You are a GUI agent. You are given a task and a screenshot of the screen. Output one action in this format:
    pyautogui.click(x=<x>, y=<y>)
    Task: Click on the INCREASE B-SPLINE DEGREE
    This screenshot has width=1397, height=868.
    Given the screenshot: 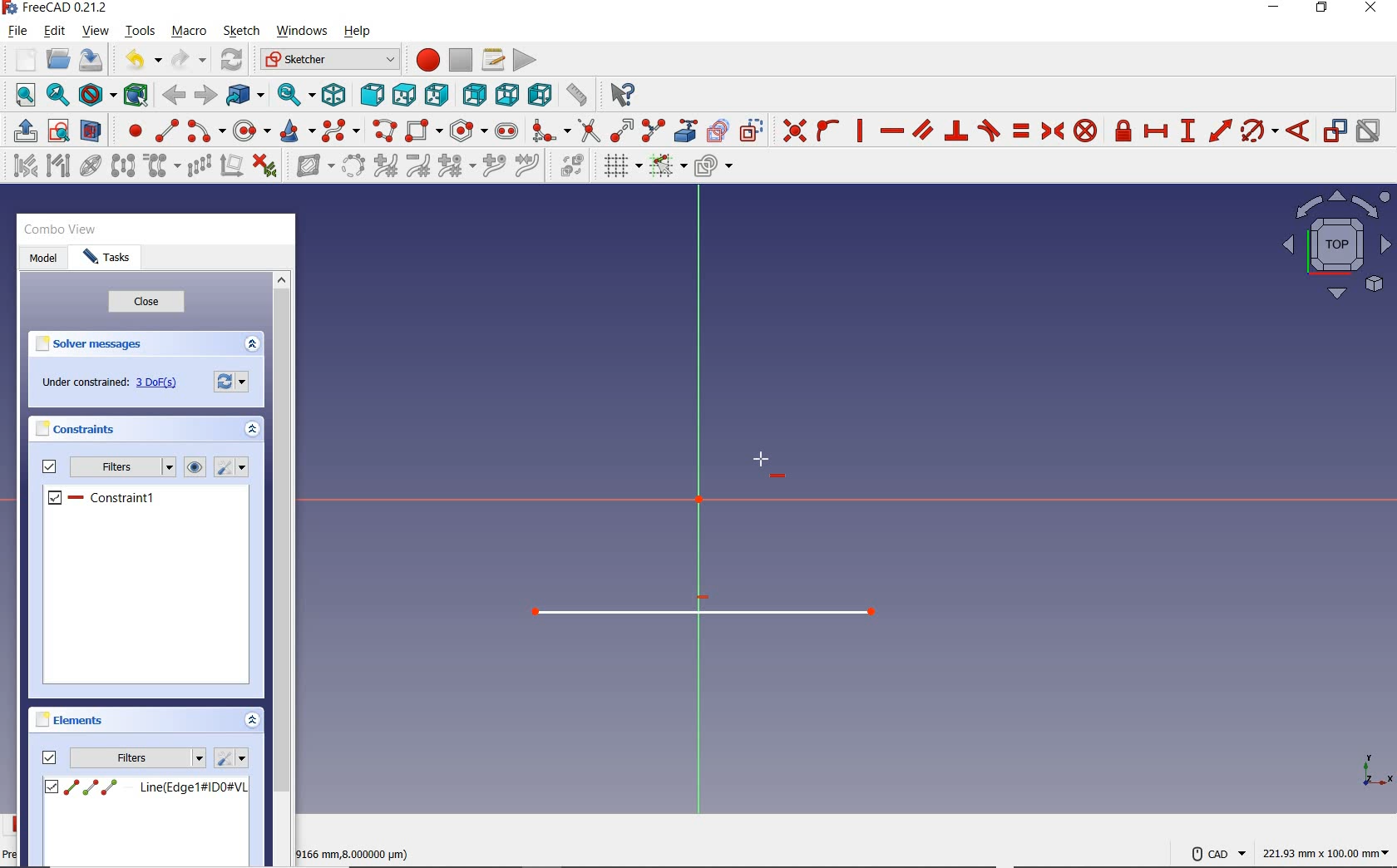 What is the action you would take?
    pyautogui.click(x=384, y=165)
    